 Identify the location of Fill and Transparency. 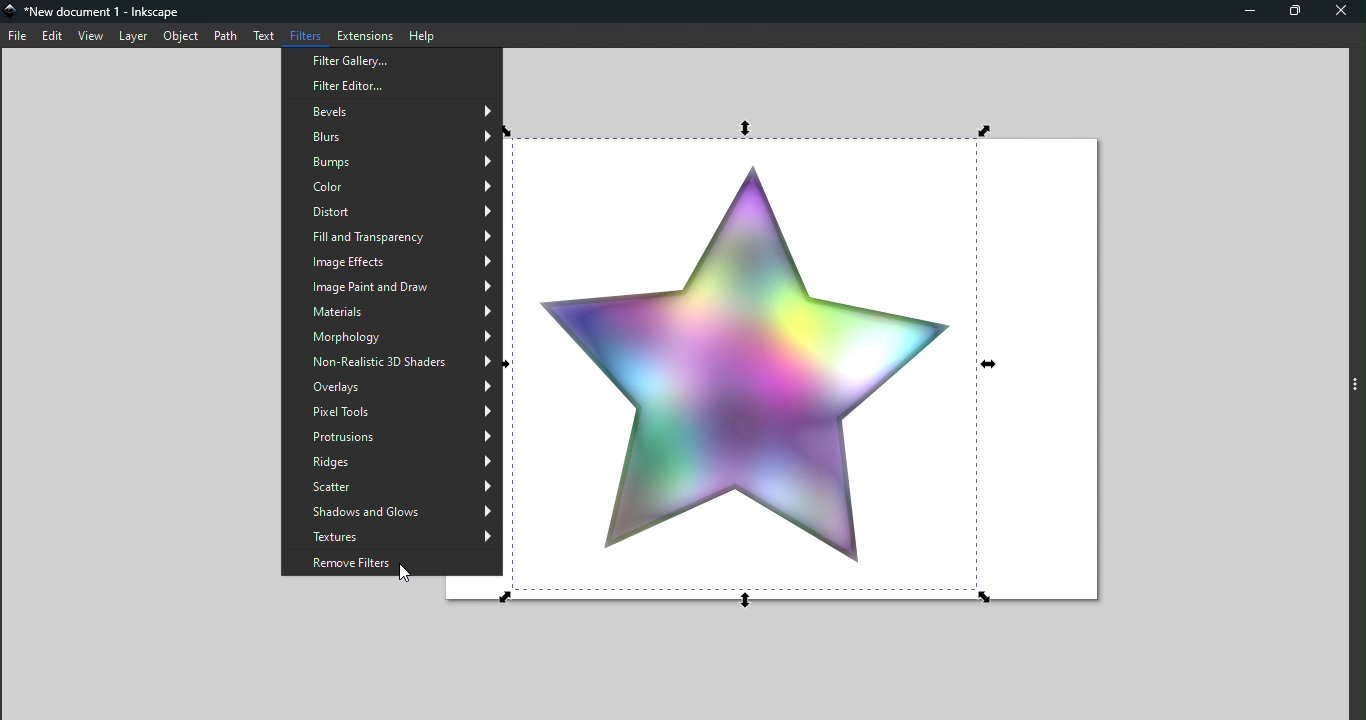
(388, 238).